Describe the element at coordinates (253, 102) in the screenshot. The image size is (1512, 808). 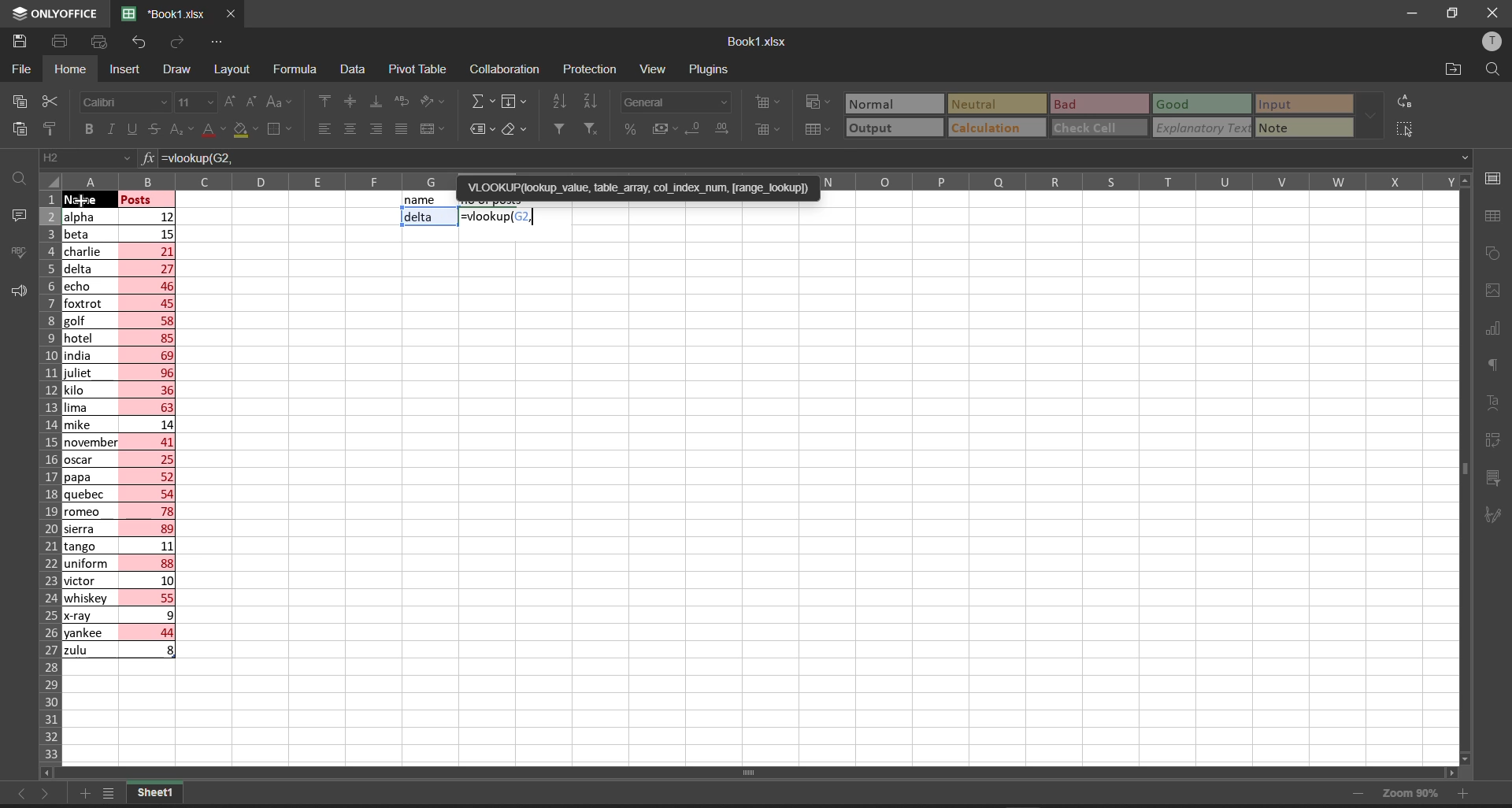
I see `decrement font size` at that location.